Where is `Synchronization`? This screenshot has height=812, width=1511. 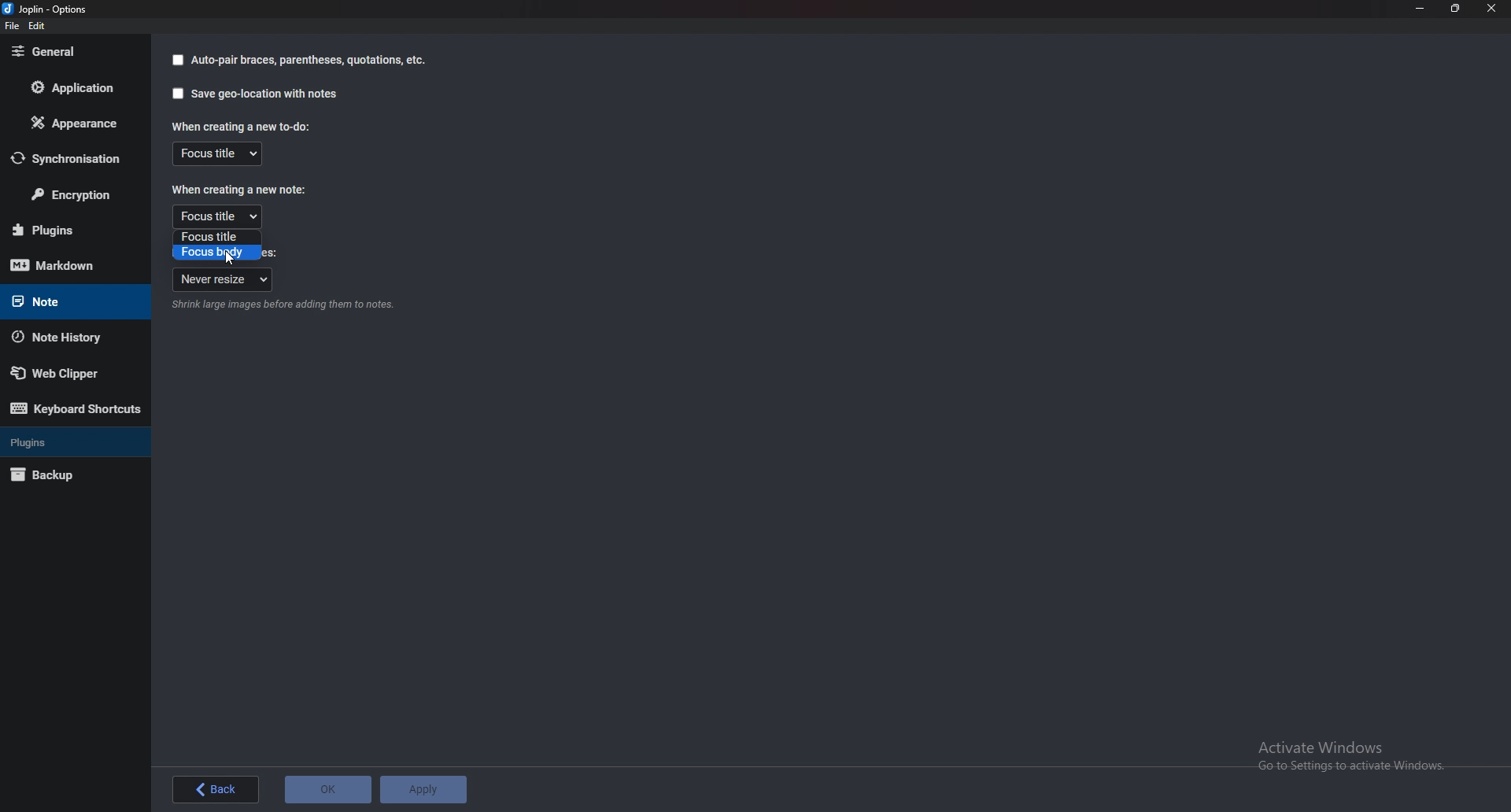
Synchronization is located at coordinates (73, 158).